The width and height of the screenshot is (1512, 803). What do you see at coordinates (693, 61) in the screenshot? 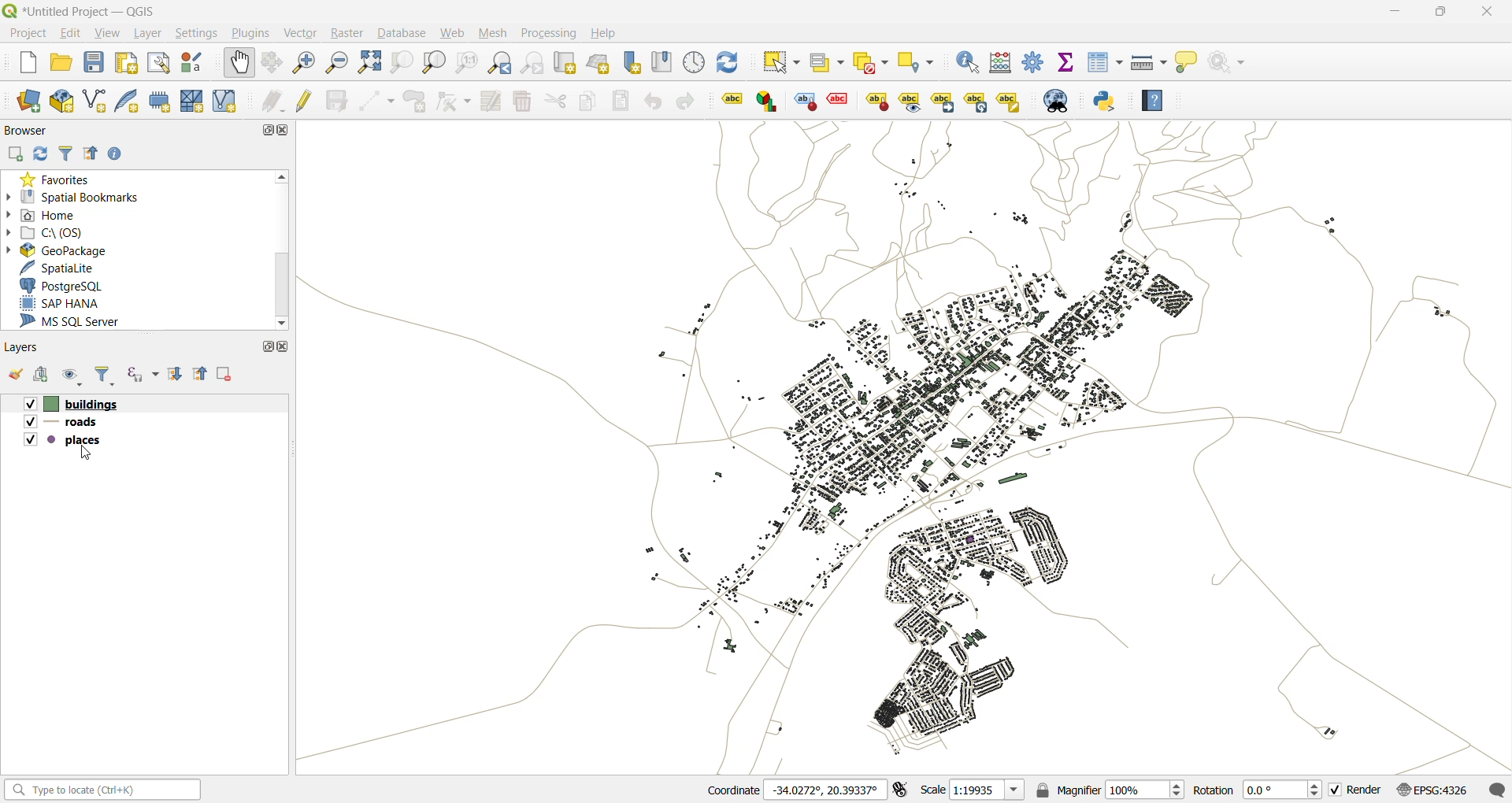
I see `control panel` at bounding box center [693, 61].